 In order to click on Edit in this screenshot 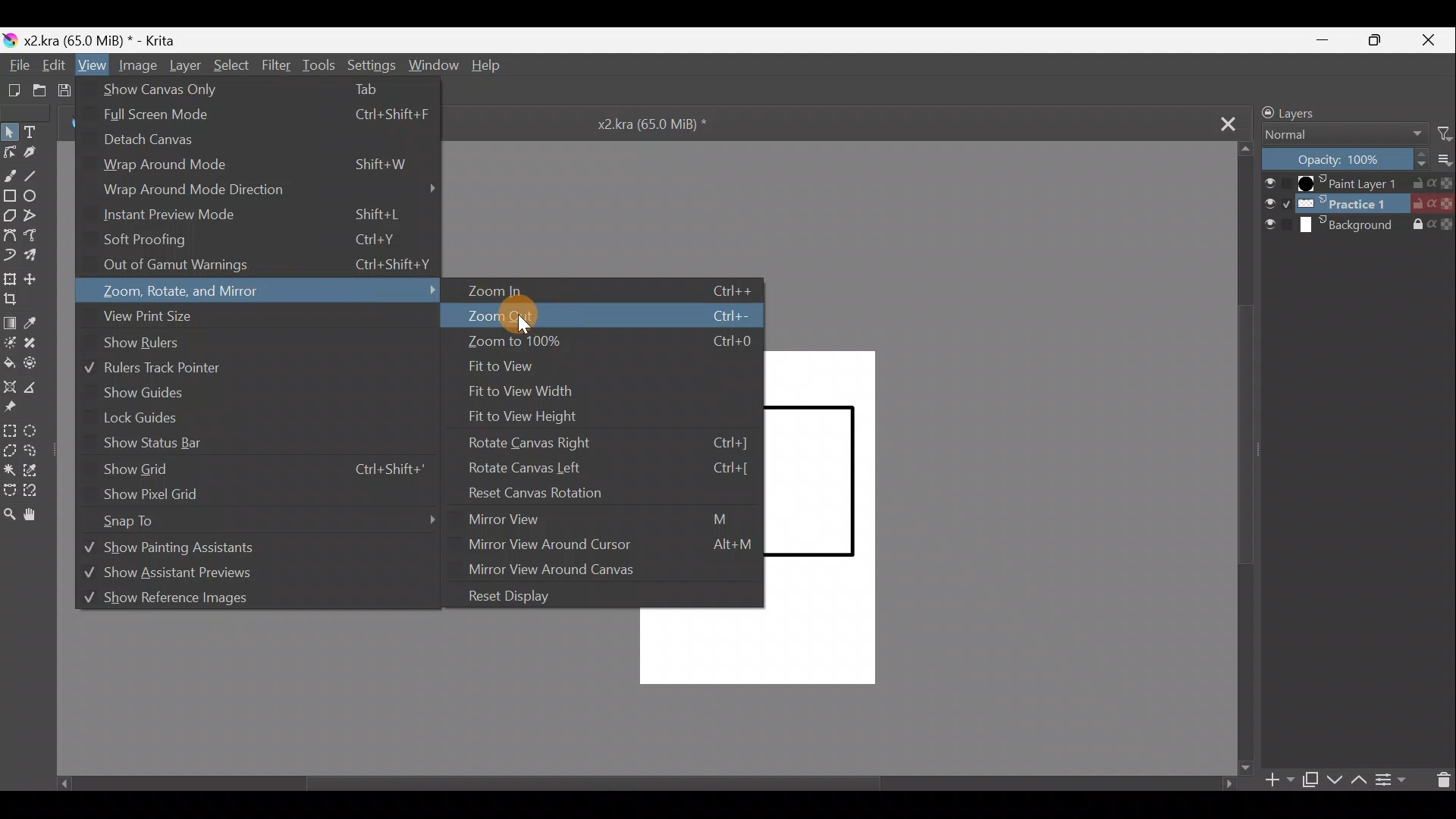, I will do `click(51, 65)`.